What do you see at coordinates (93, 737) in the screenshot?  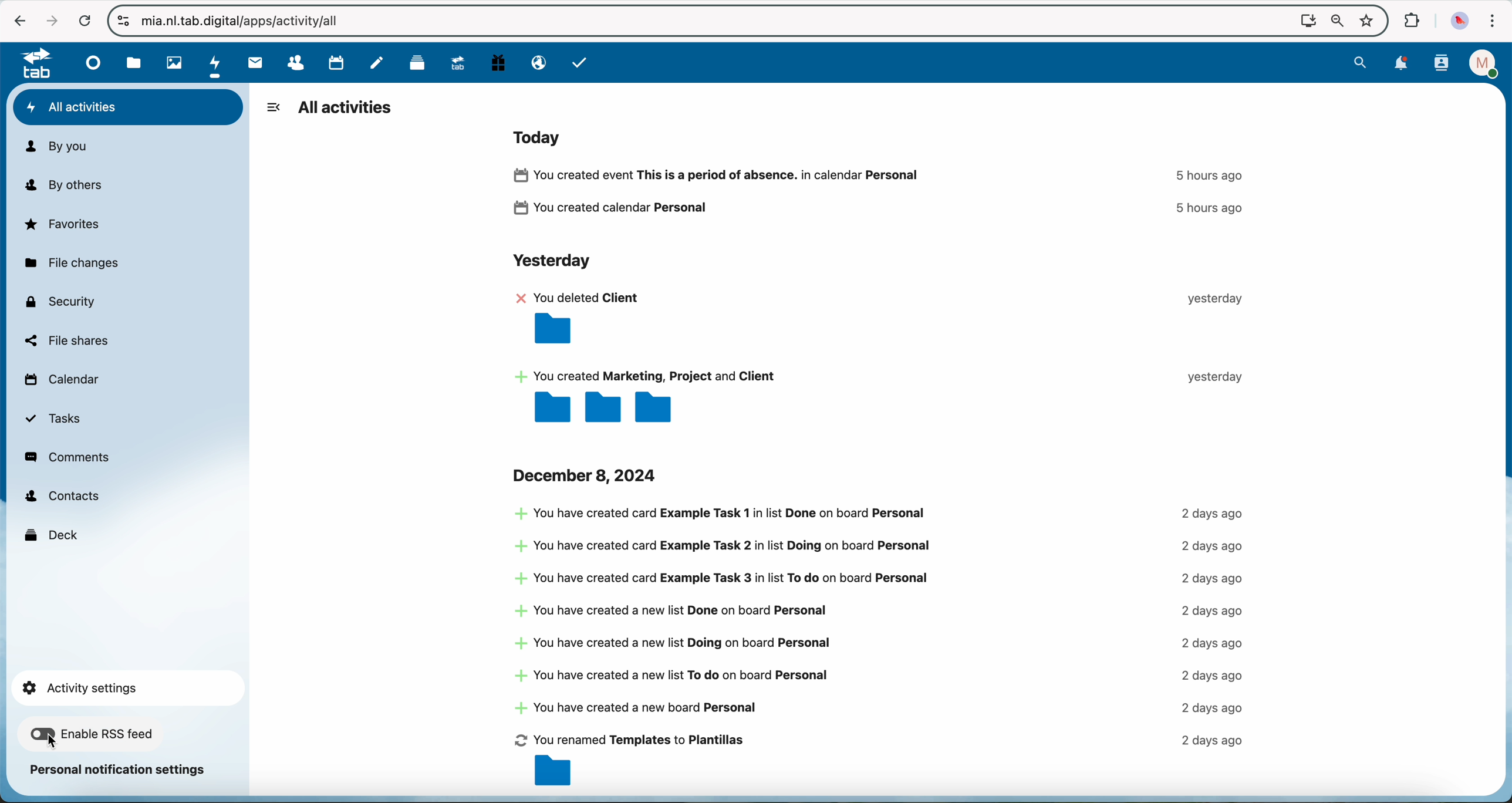 I see `click on enable RSS feed` at bounding box center [93, 737].